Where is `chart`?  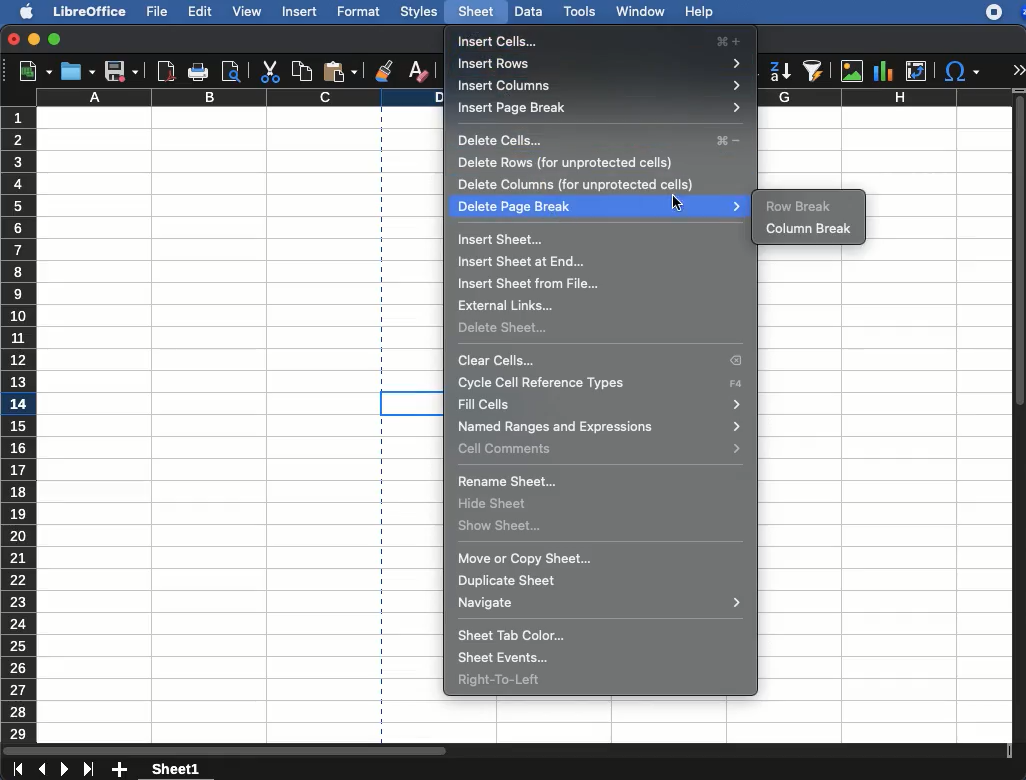 chart is located at coordinates (884, 72).